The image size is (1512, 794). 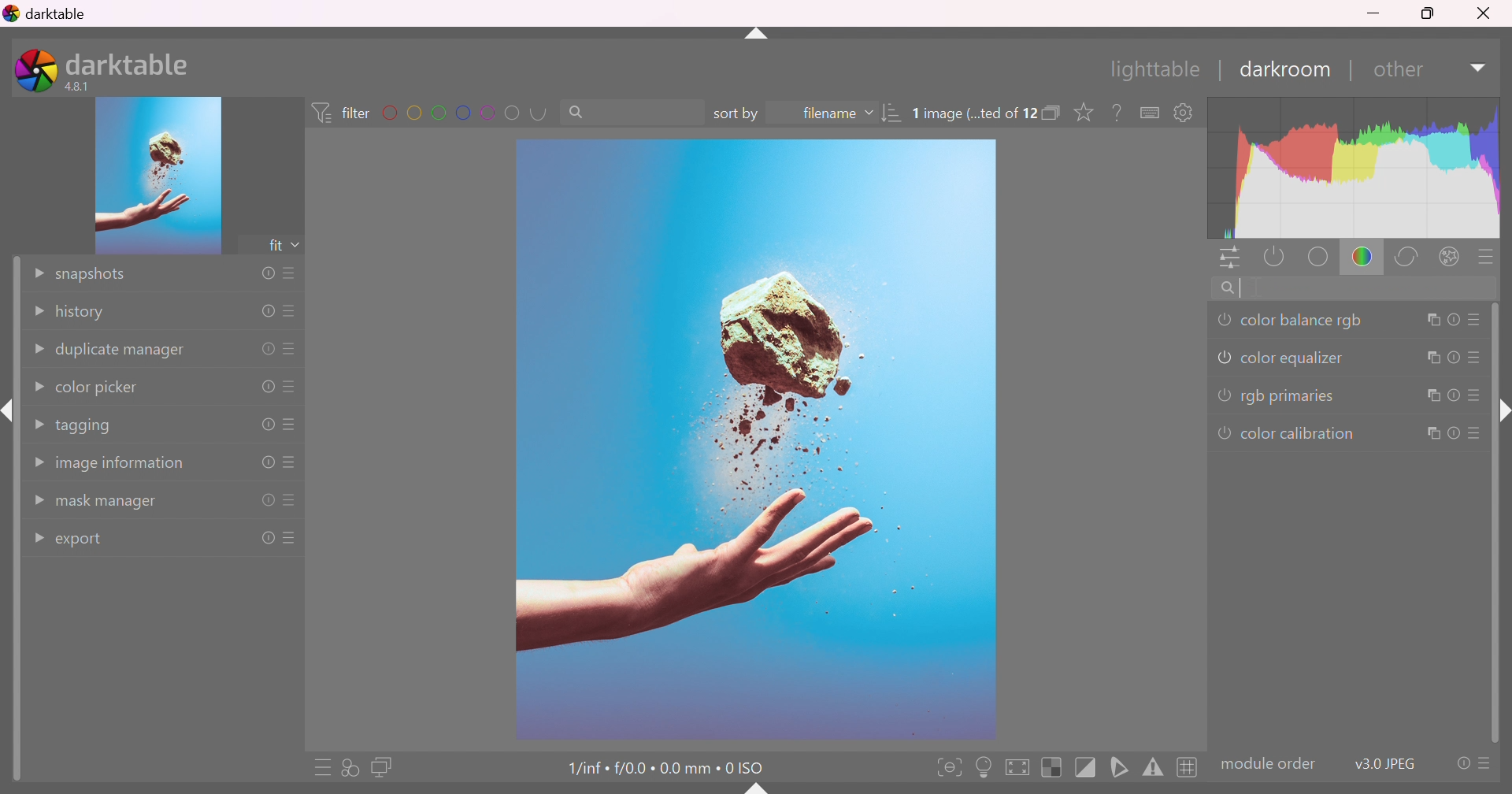 What do you see at coordinates (949, 766) in the screenshot?
I see `toggle focus-peaking mode` at bounding box center [949, 766].